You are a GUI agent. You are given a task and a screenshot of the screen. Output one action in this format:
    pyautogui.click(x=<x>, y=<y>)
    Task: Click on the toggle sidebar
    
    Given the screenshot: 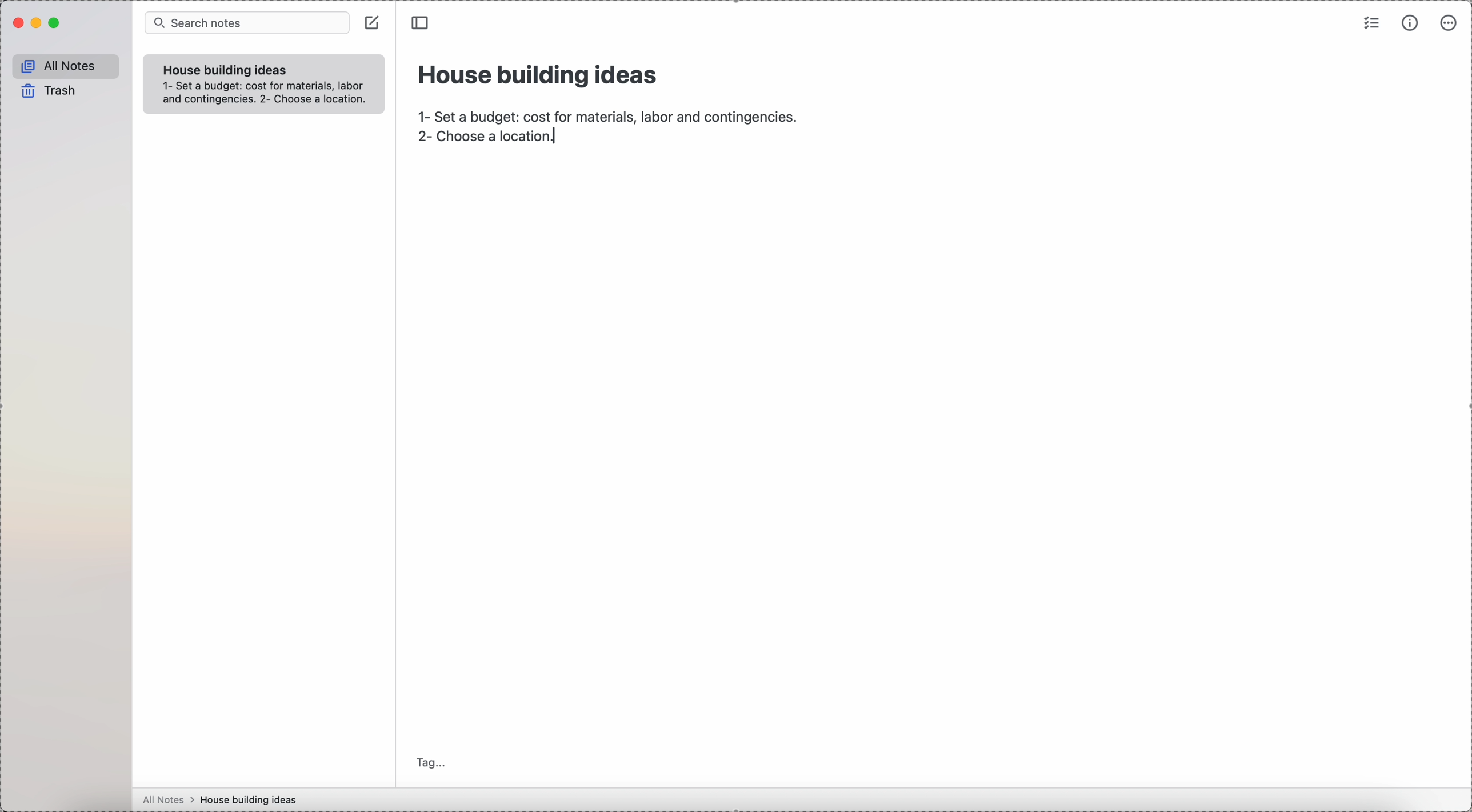 What is the action you would take?
    pyautogui.click(x=422, y=23)
    